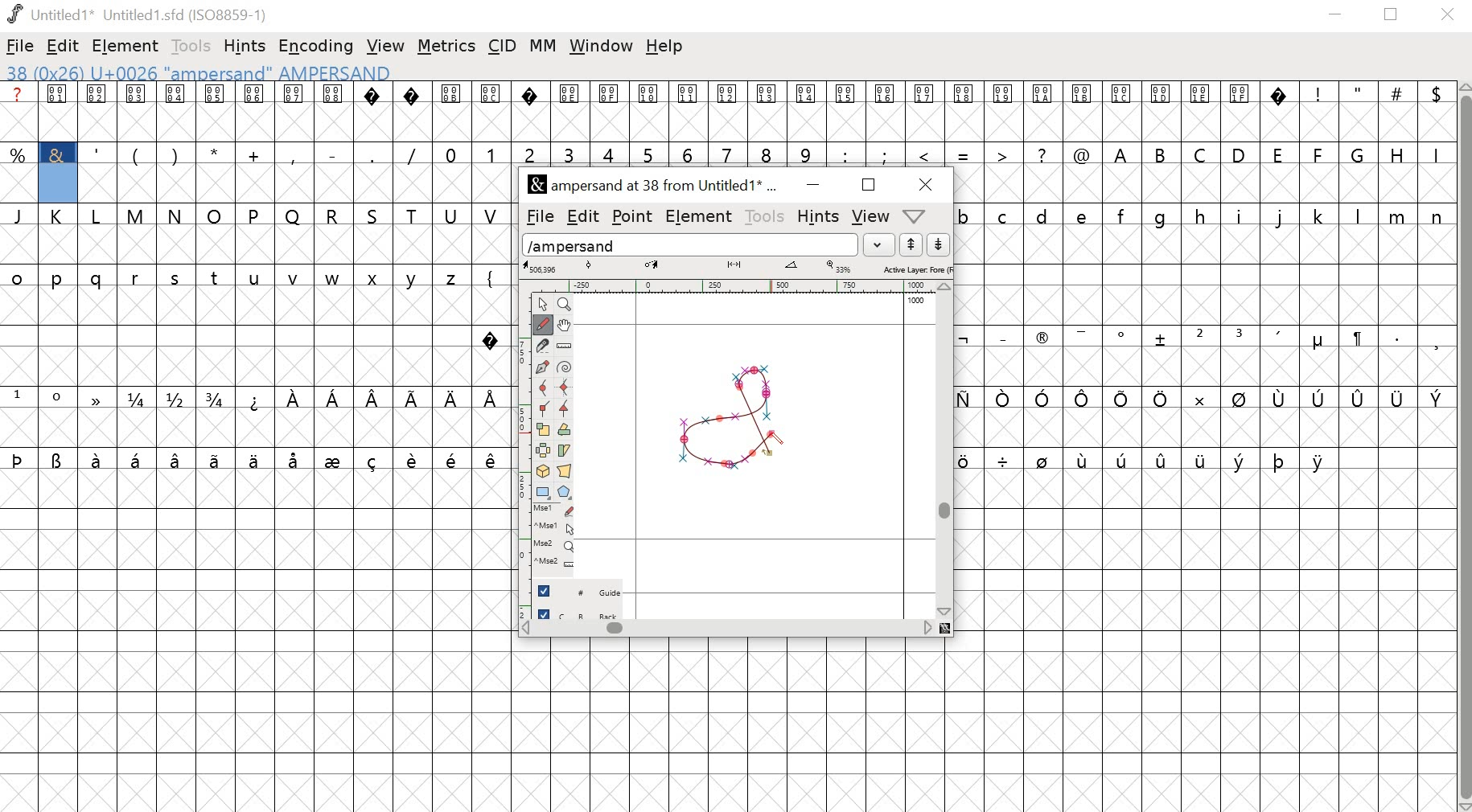 Image resolution: width=1472 pixels, height=812 pixels. What do you see at coordinates (1200, 110) in the screenshot?
I see `001E` at bounding box center [1200, 110].